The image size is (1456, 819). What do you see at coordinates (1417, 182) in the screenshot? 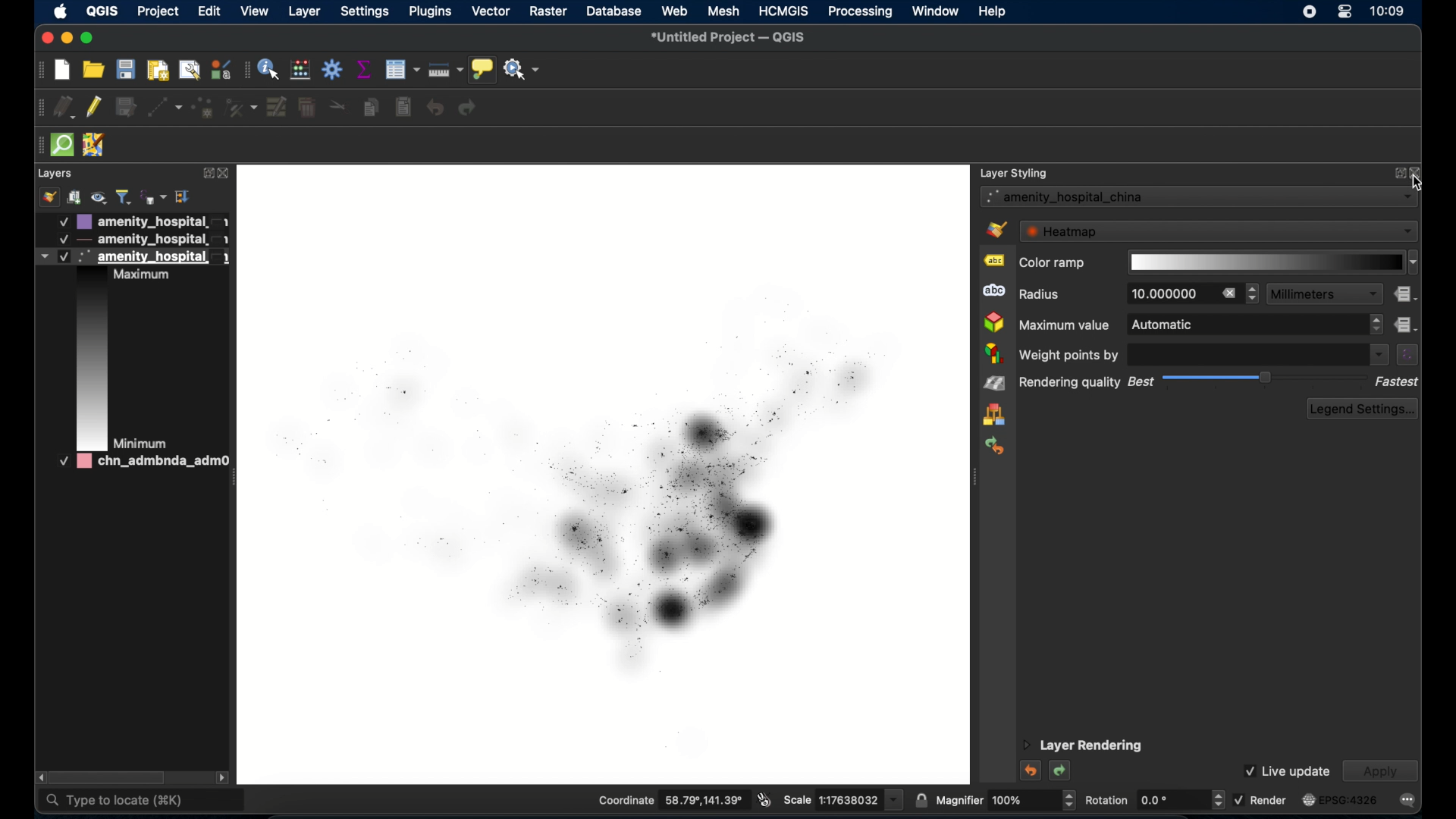
I see `cursor` at bounding box center [1417, 182].